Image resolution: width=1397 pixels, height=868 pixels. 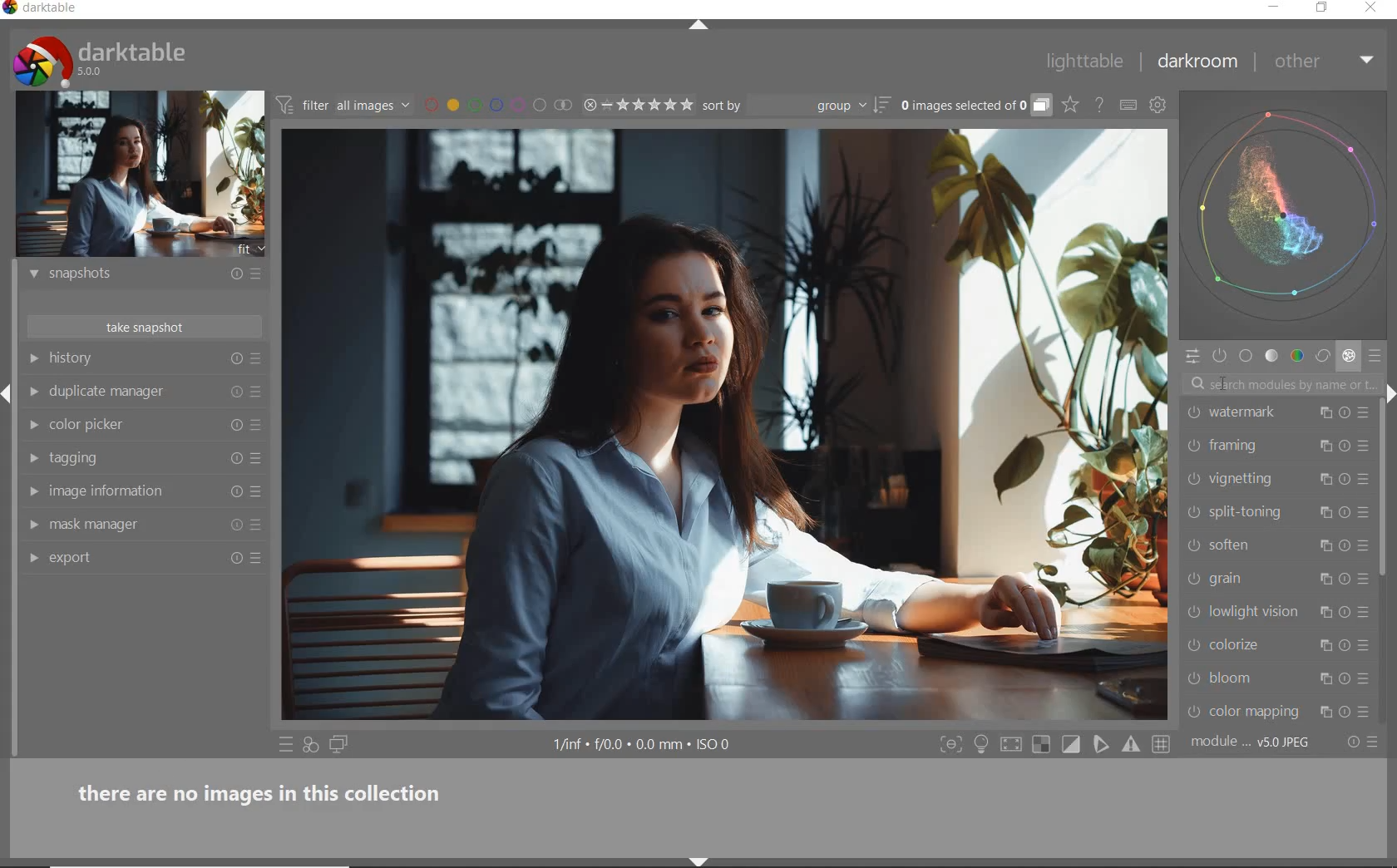 I want to click on history, so click(x=121, y=357).